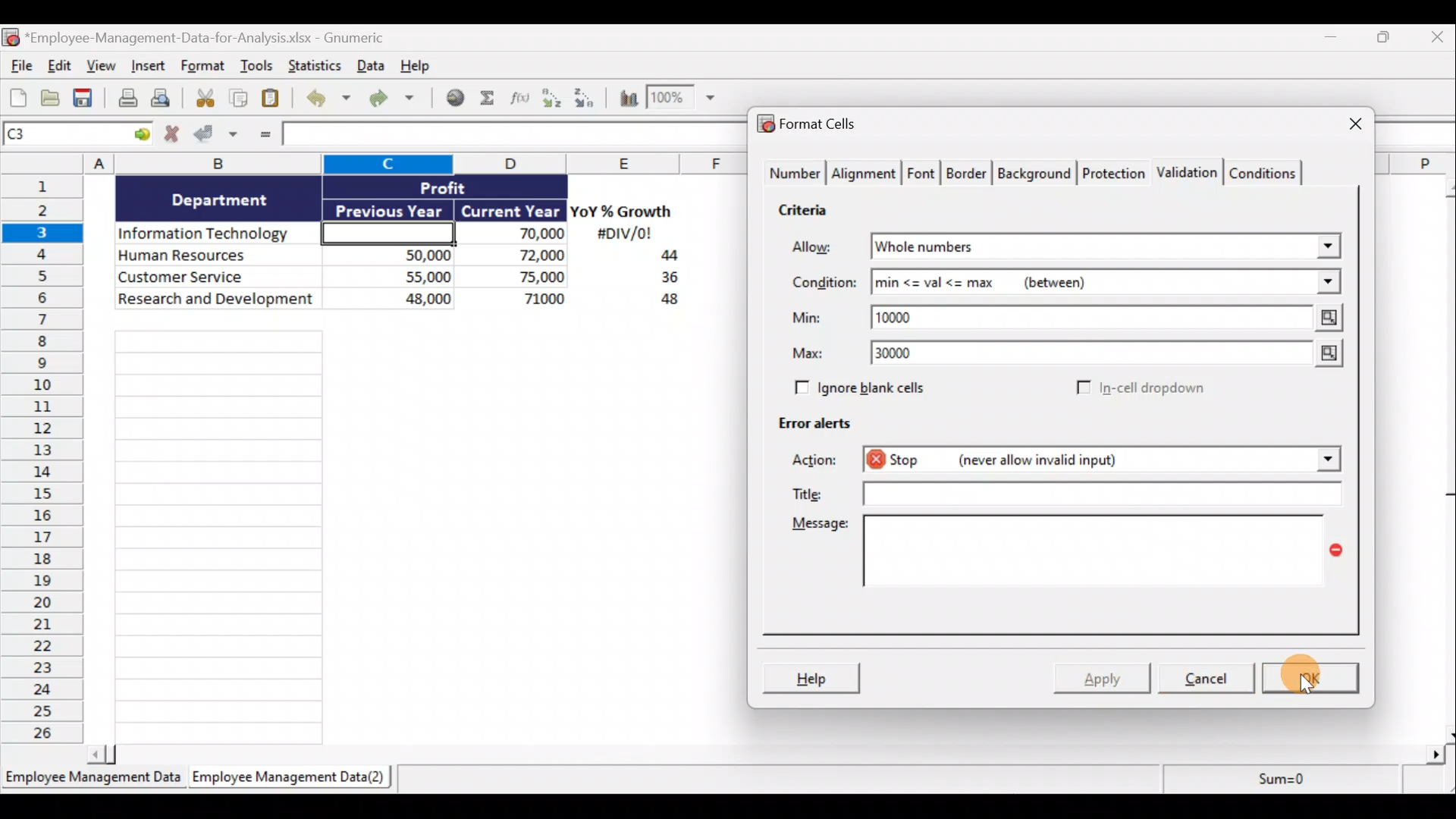 The width and height of the screenshot is (1456, 819). What do you see at coordinates (1312, 676) in the screenshot?
I see `OK` at bounding box center [1312, 676].